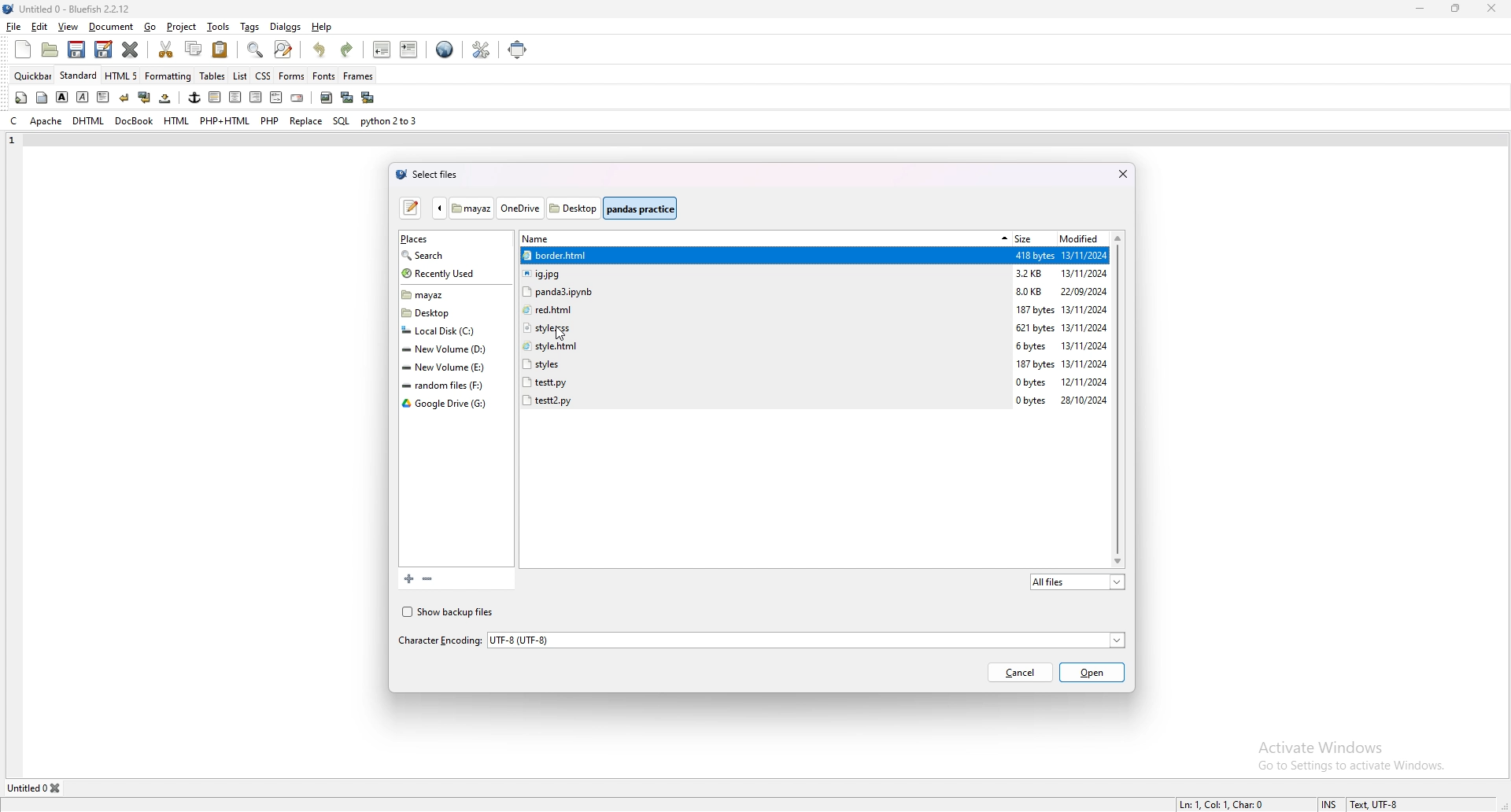 This screenshot has width=1511, height=812. Describe the element at coordinates (76, 8) in the screenshot. I see `Untitled 0 - Bluefish 2.2.12` at that location.